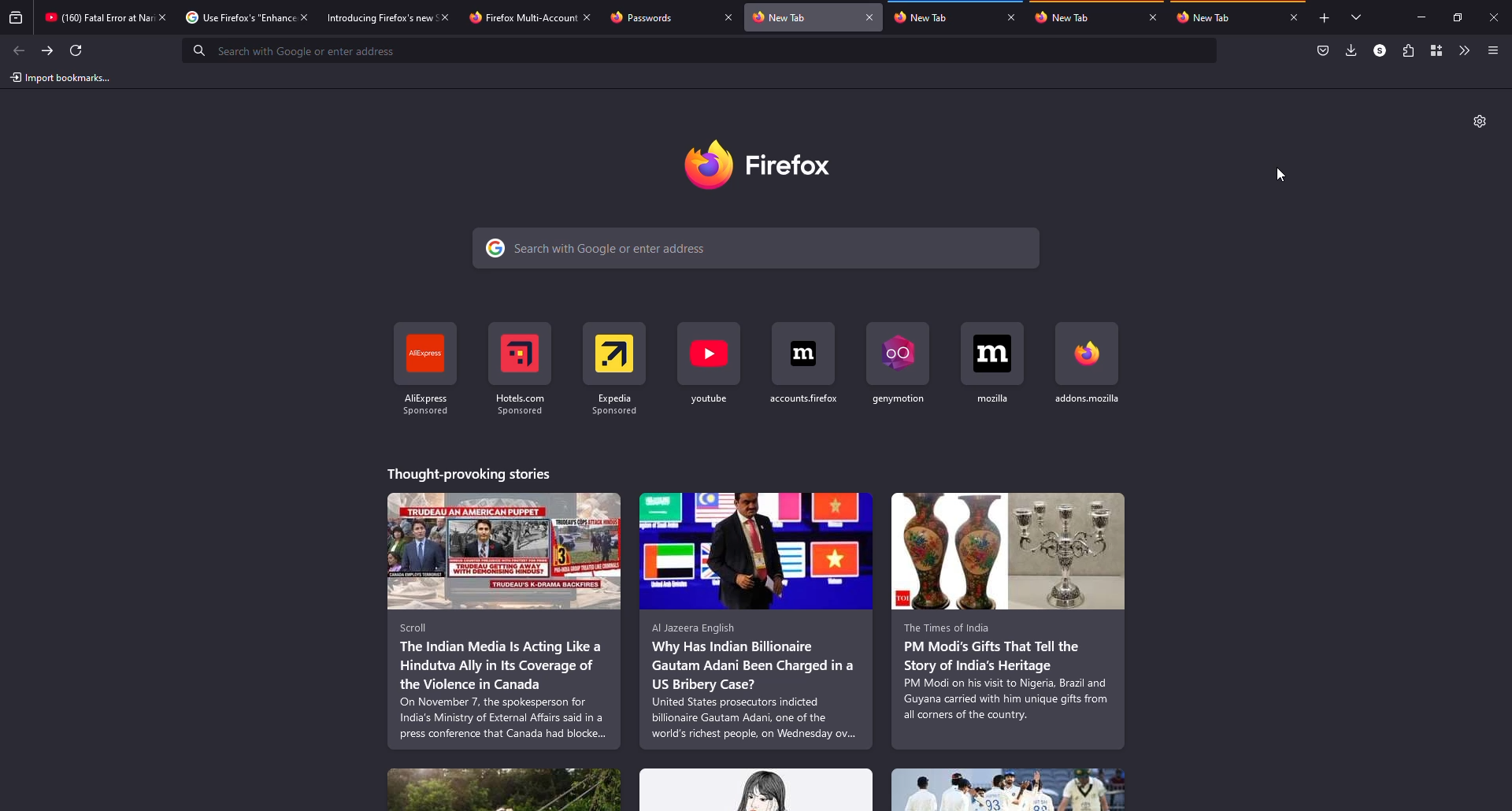 The height and width of the screenshot is (811, 1512). Describe the element at coordinates (1321, 19) in the screenshot. I see `add` at that location.